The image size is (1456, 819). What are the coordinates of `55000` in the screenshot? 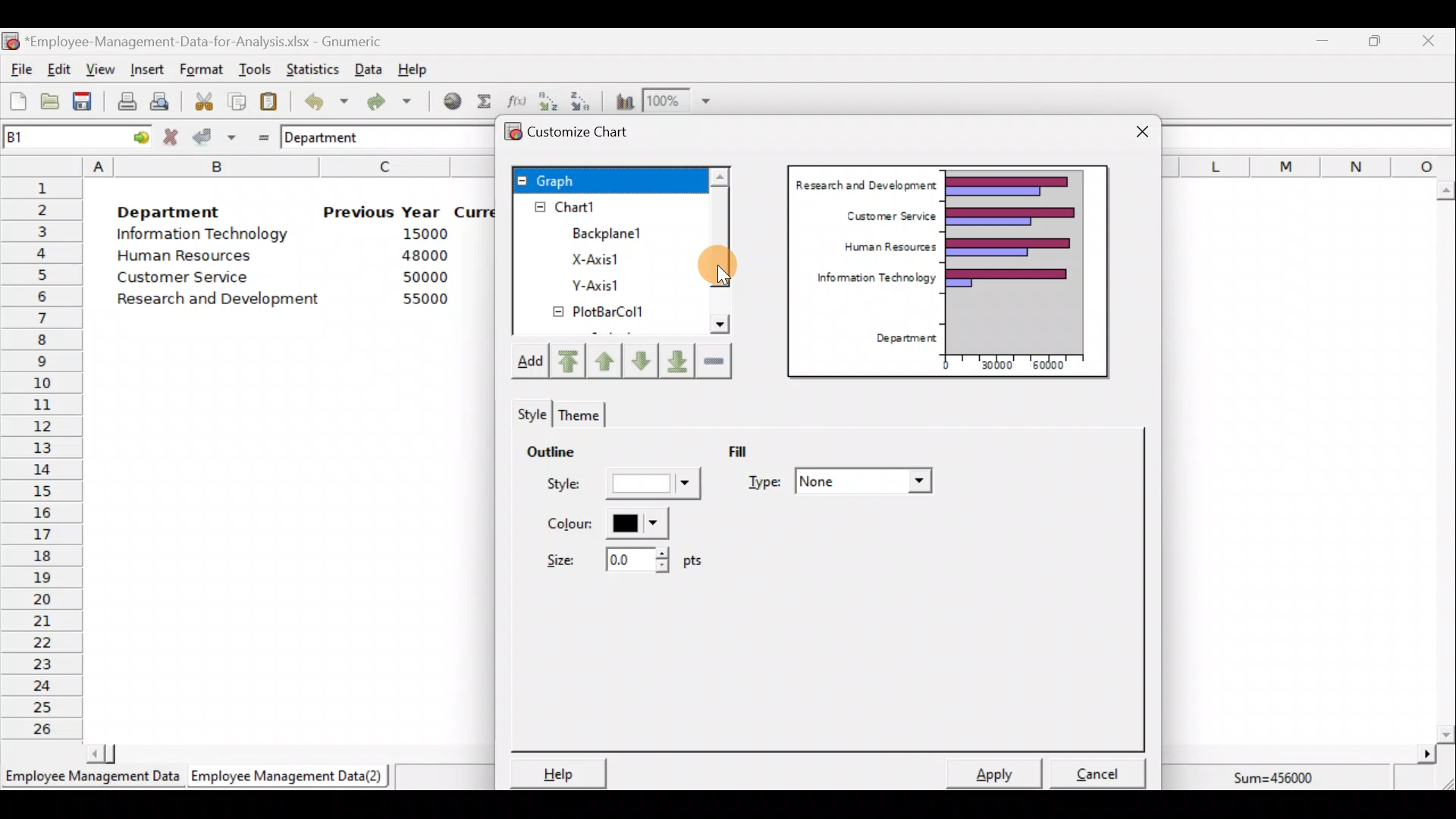 It's located at (426, 299).